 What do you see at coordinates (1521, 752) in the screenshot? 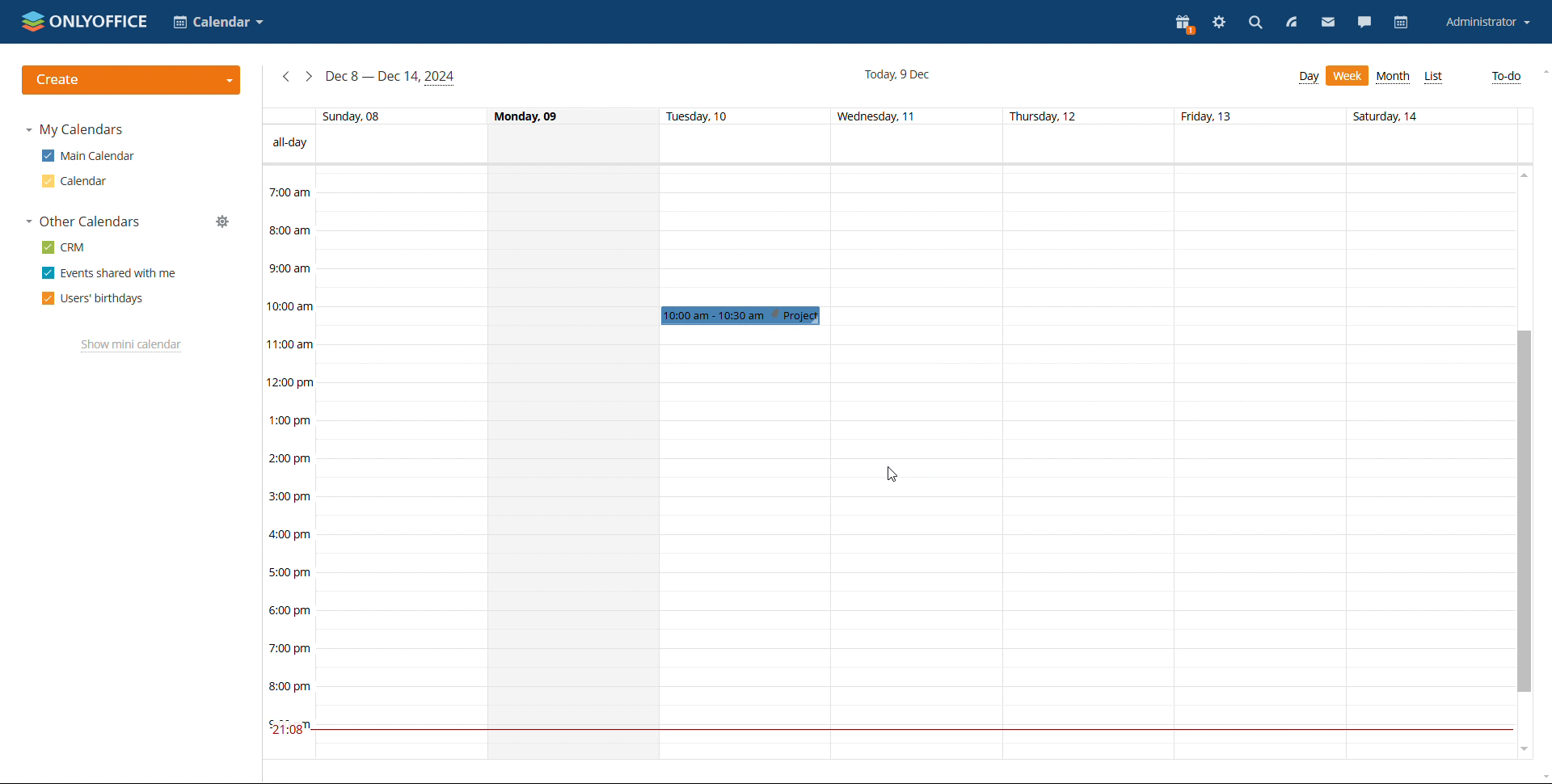
I see `scroll down` at bounding box center [1521, 752].